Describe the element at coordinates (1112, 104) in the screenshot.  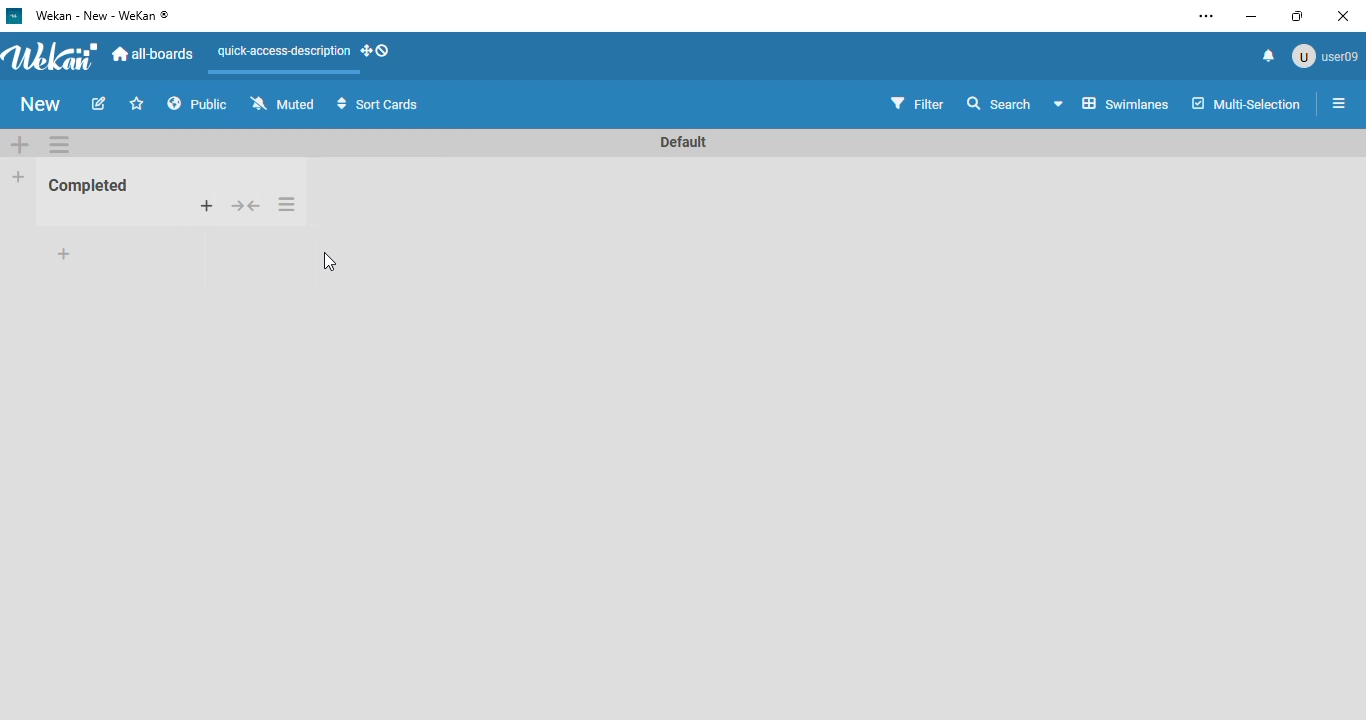
I see `board view` at that location.